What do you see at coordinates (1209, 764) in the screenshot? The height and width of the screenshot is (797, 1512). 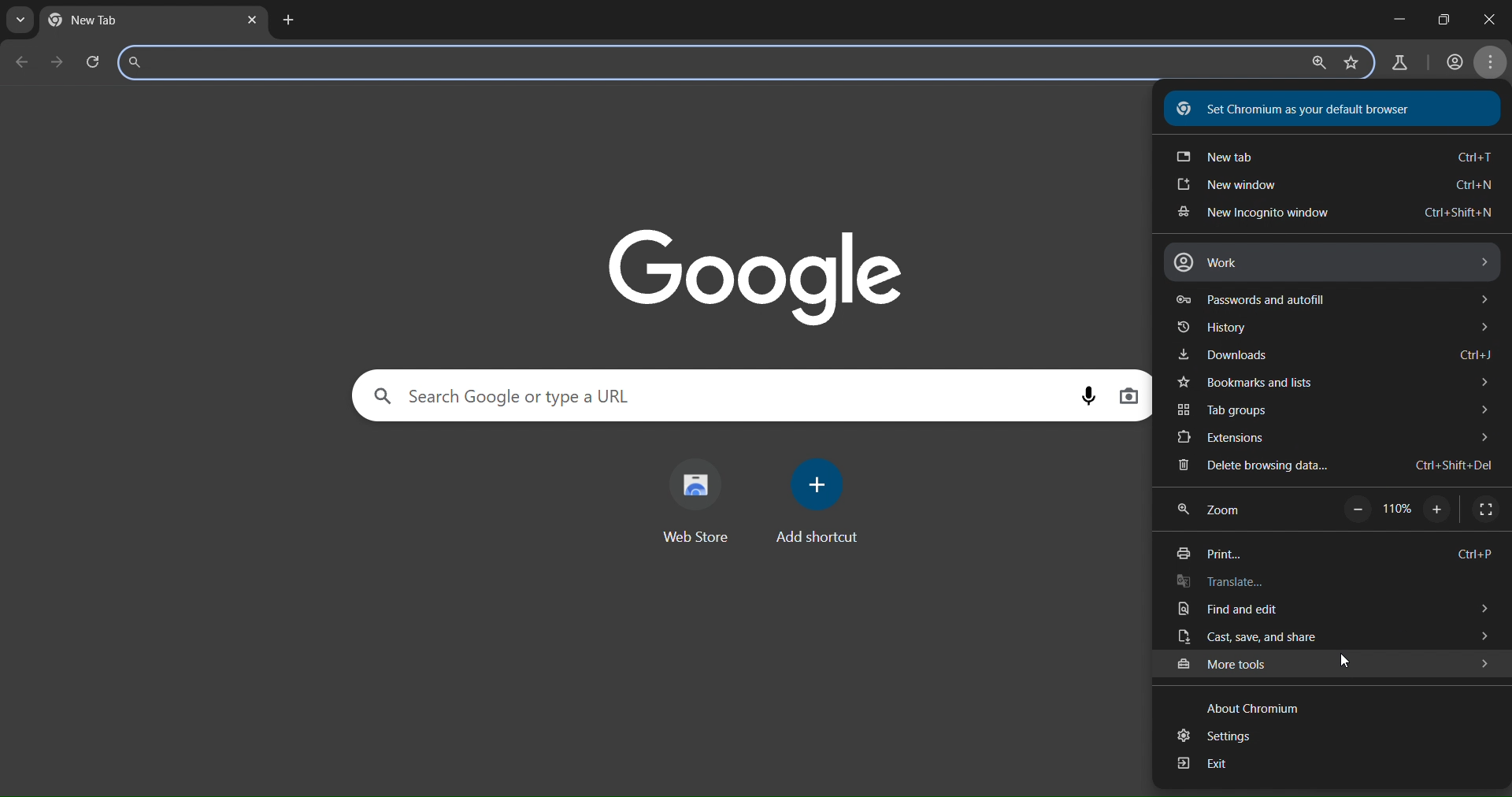 I see `exit` at bounding box center [1209, 764].